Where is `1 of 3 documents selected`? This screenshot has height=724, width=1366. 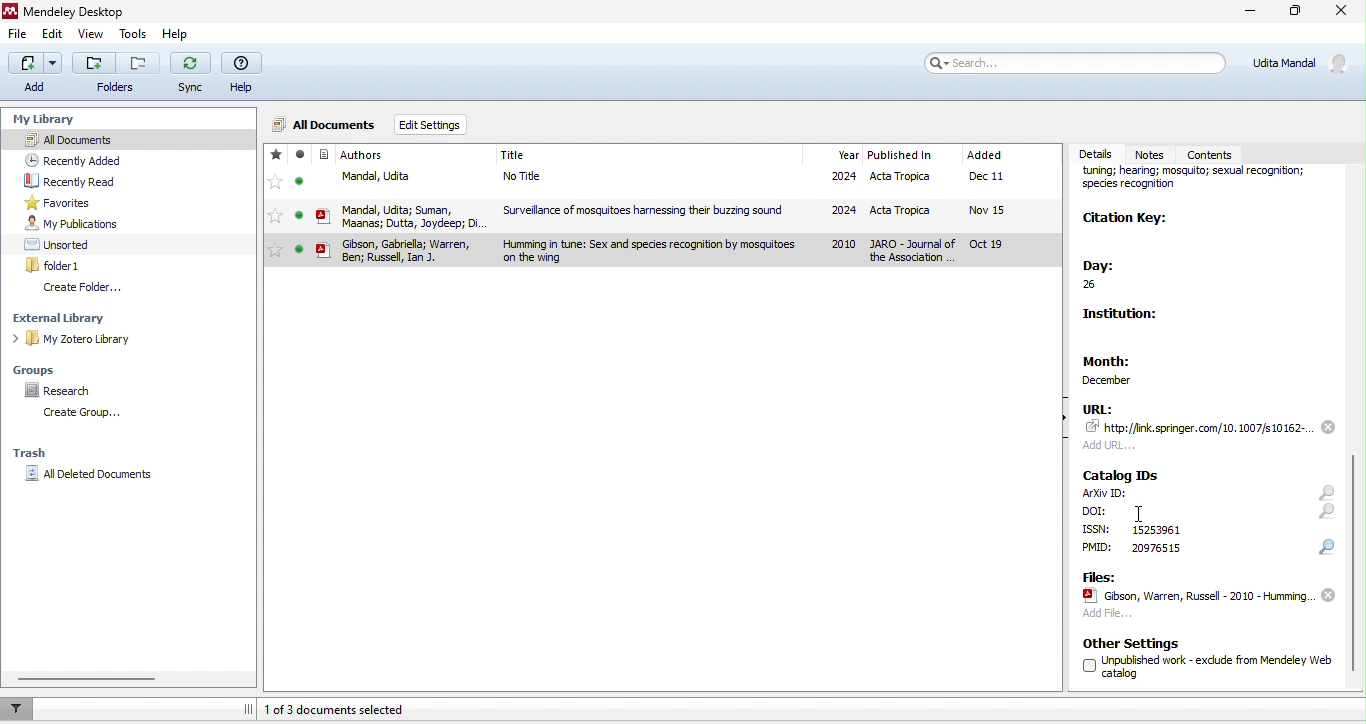 1 of 3 documents selected is located at coordinates (343, 709).